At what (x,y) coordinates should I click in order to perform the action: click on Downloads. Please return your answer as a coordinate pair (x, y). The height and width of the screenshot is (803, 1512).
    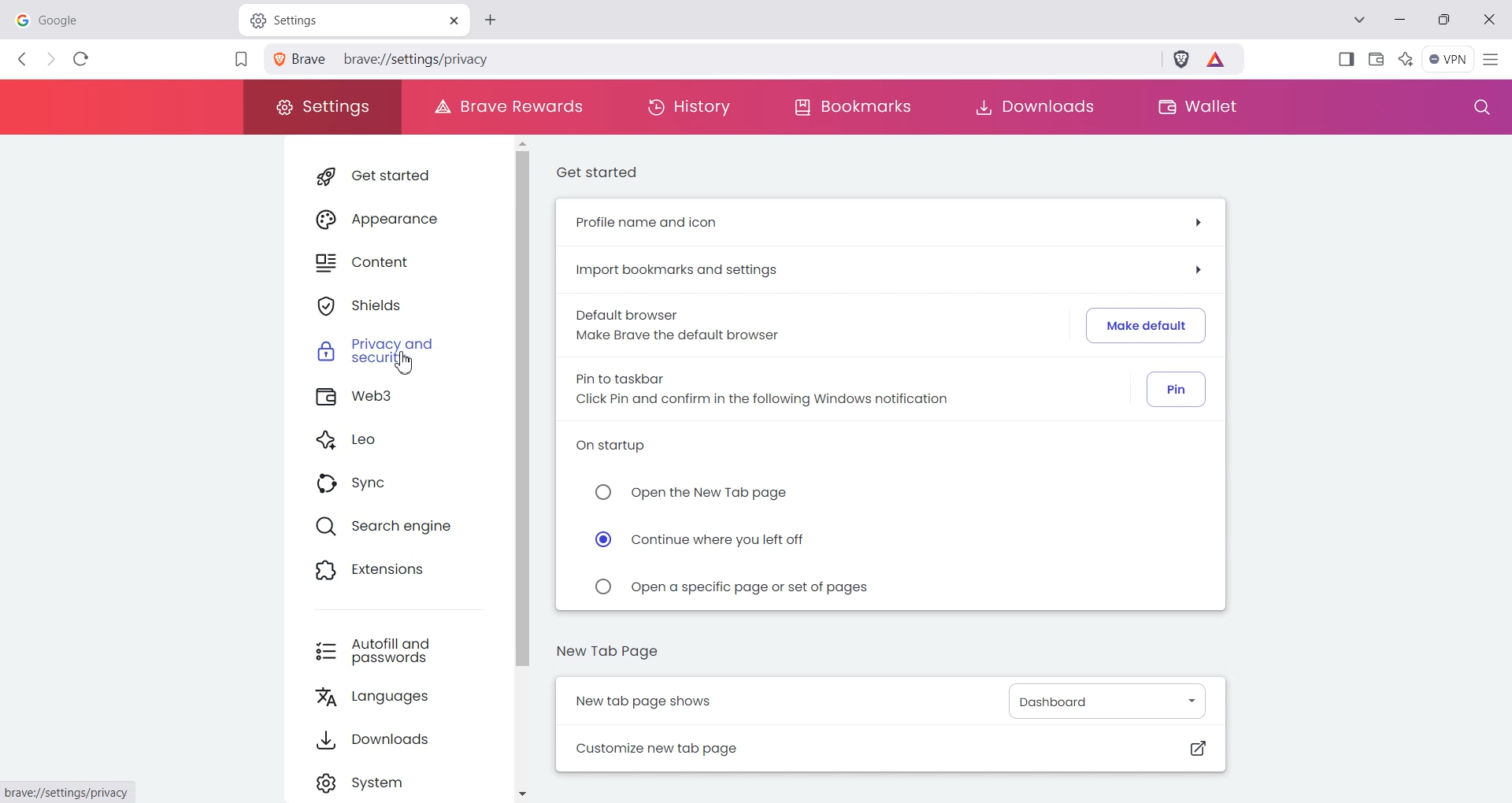
    Looking at the image, I should click on (1033, 107).